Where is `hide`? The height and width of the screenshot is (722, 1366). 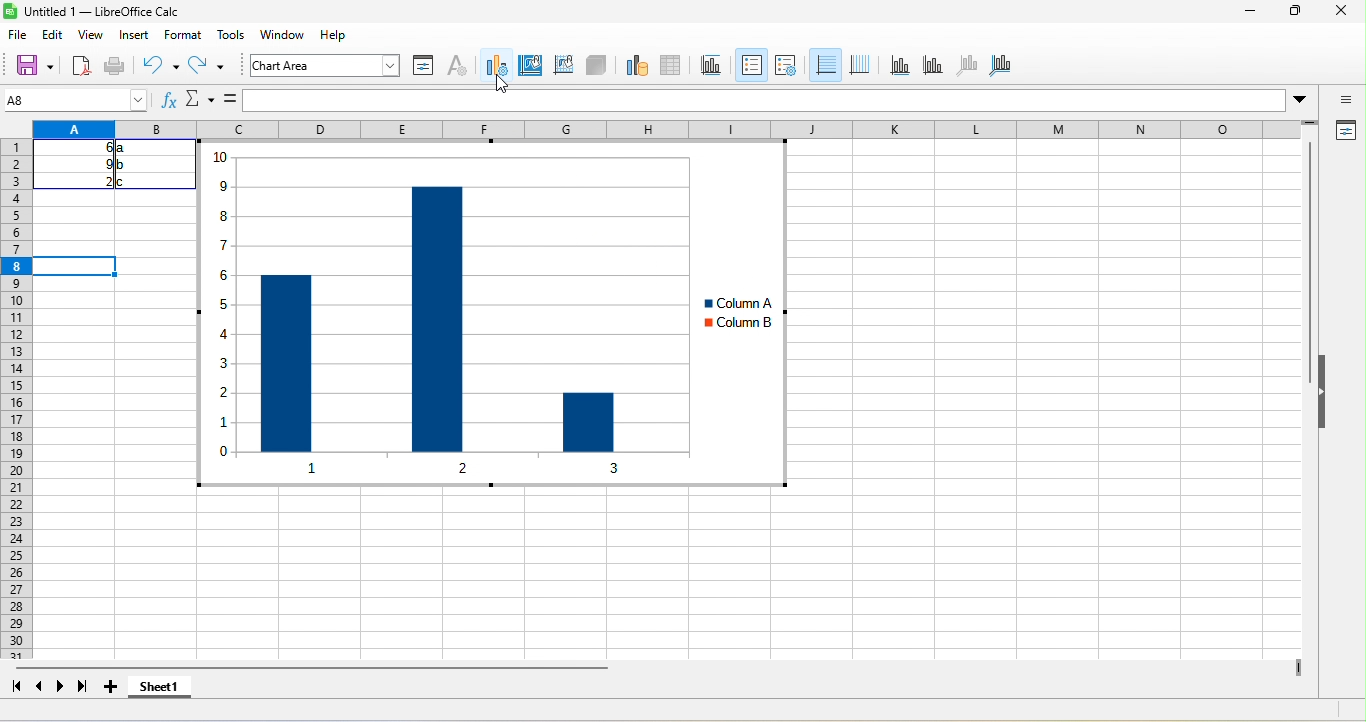 hide is located at coordinates (1326, 398).